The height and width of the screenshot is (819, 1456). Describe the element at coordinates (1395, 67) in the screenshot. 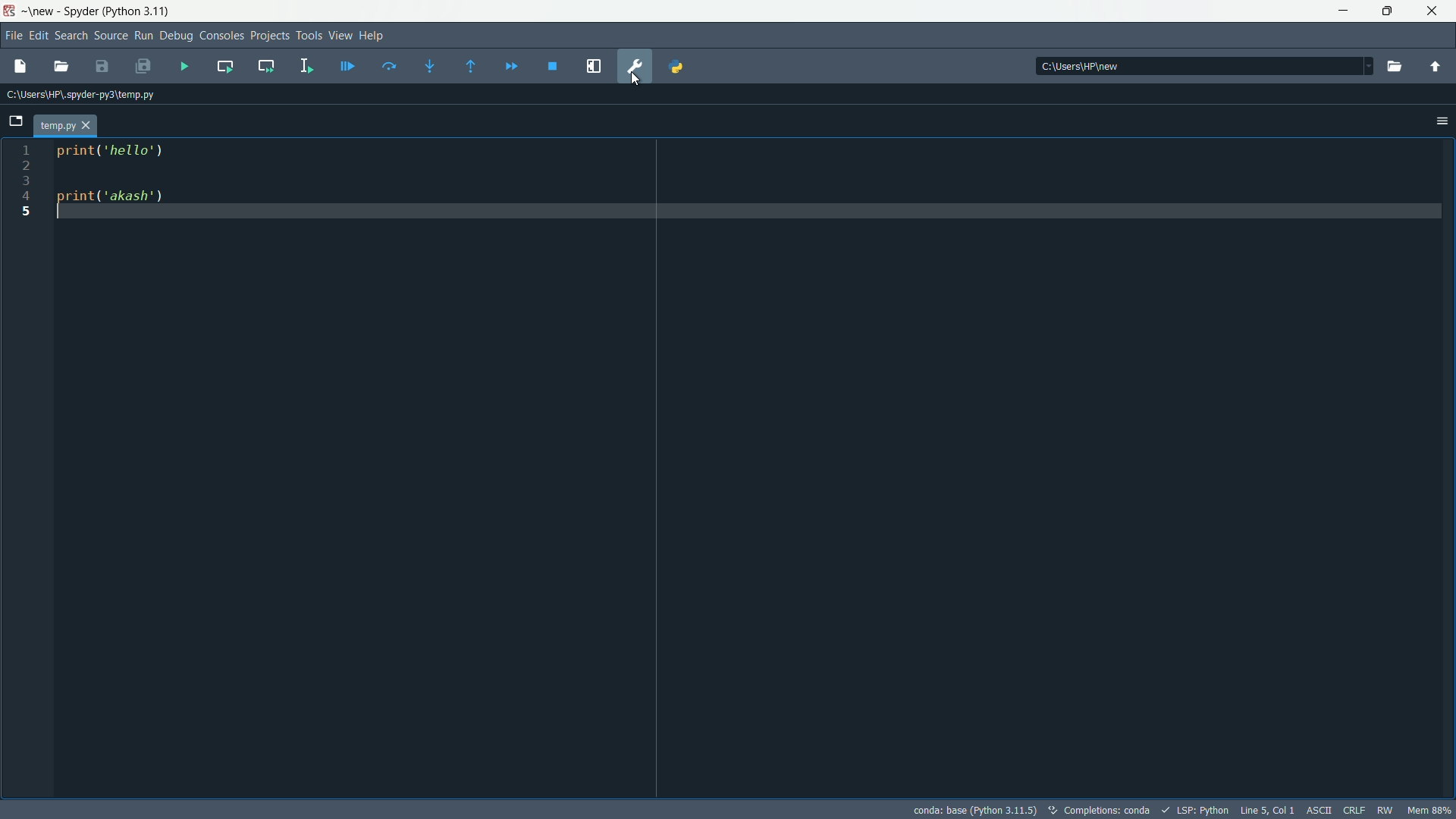

I see `browse directory` at that location.